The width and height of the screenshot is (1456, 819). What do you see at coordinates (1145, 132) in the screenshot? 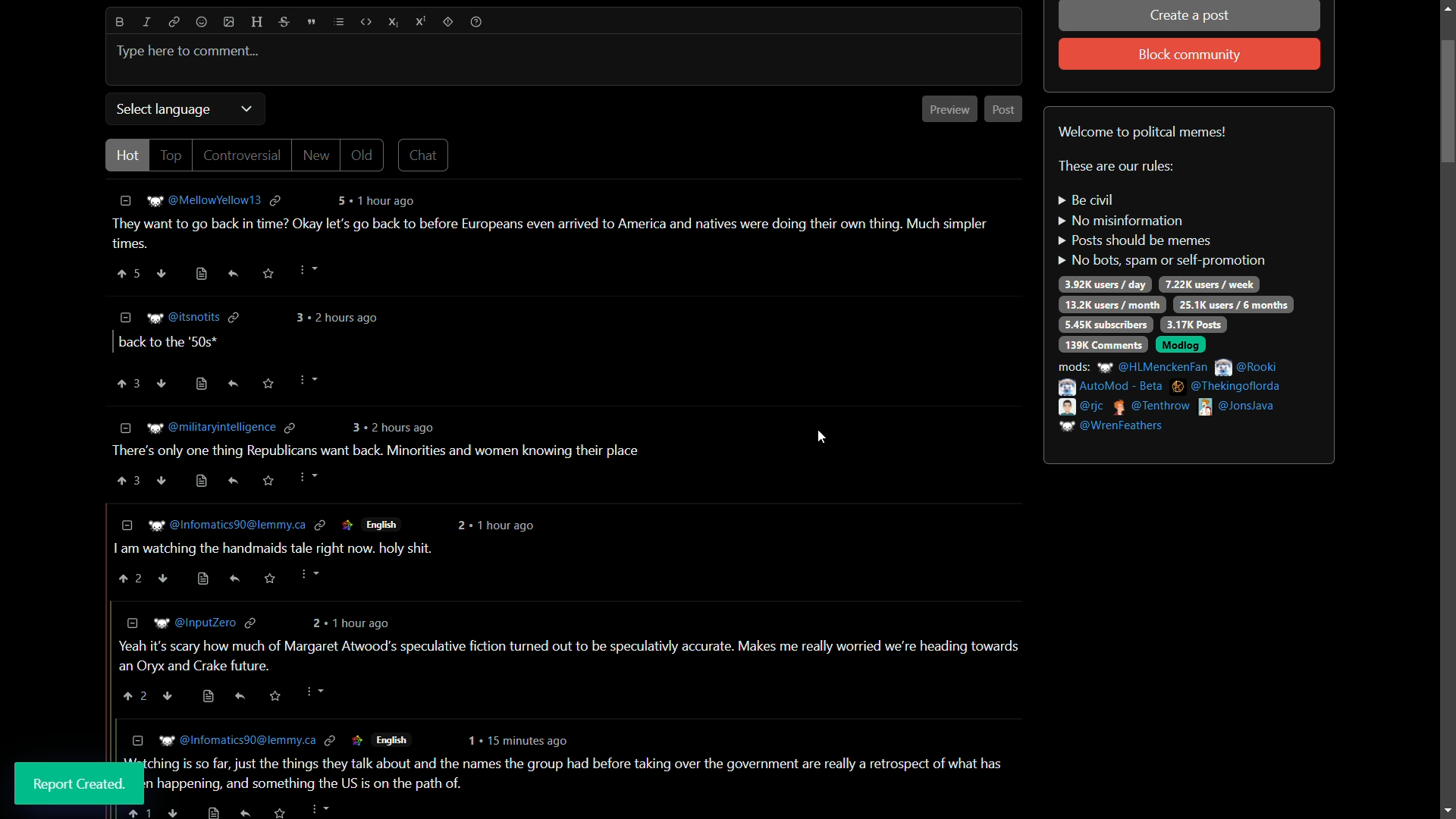
I see `welcome to political memes` at bounding box center [1145, 132].